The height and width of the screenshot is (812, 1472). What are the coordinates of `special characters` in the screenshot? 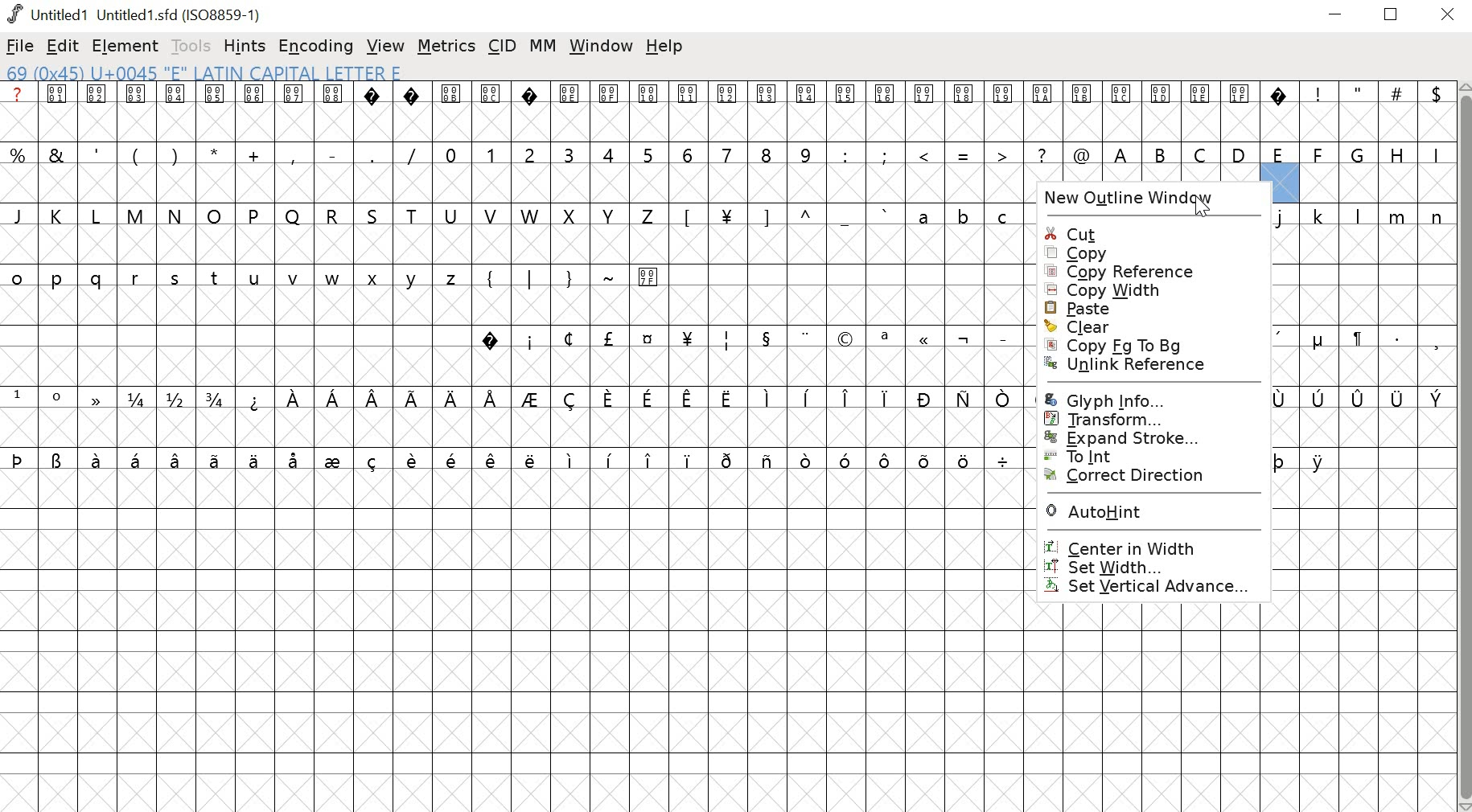 It's located at (512, 398).